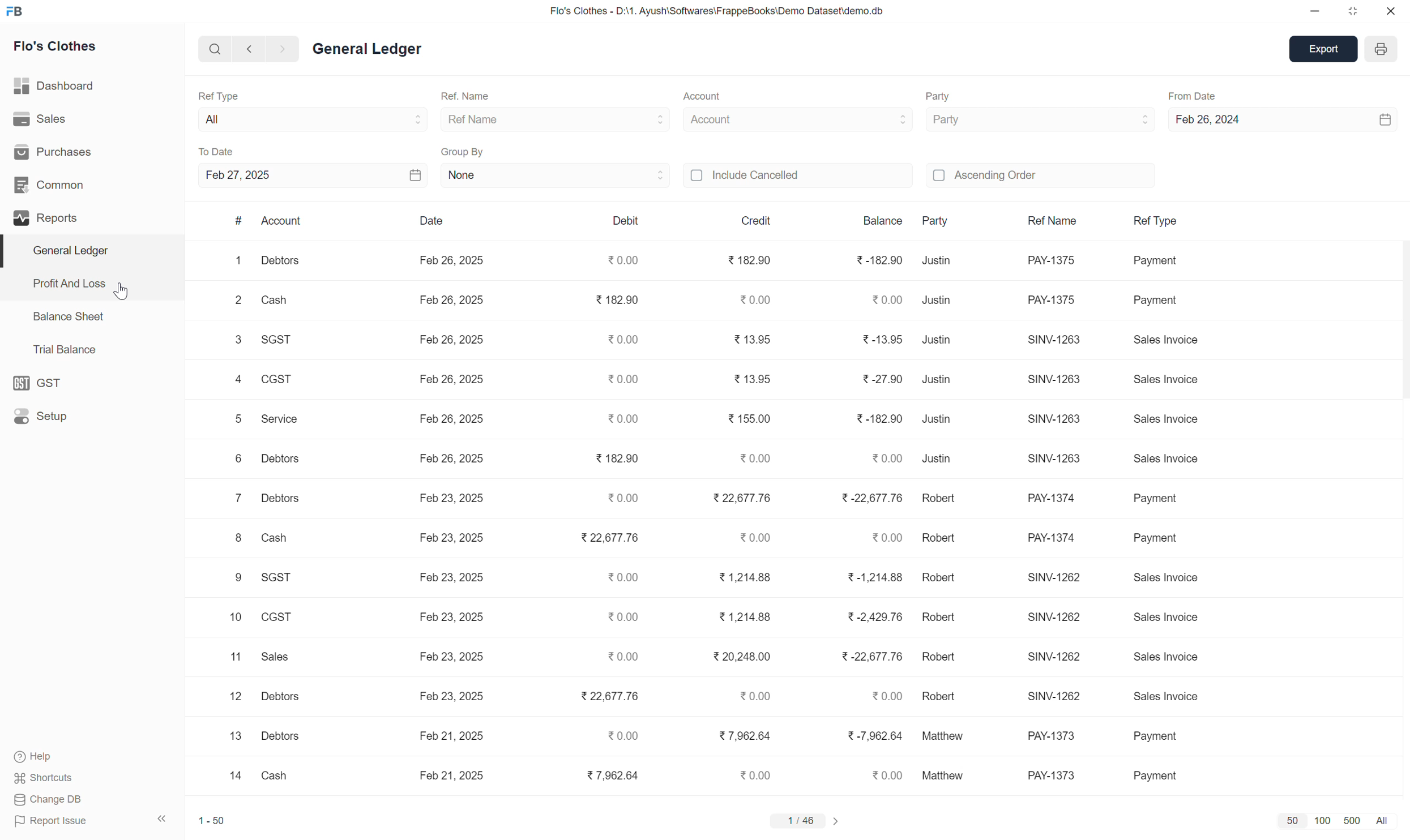 The image size is (1410, 840). Describe the element at coordinates (450, 340) in the screenshot. I see `Feb 26, 2025` at that location.